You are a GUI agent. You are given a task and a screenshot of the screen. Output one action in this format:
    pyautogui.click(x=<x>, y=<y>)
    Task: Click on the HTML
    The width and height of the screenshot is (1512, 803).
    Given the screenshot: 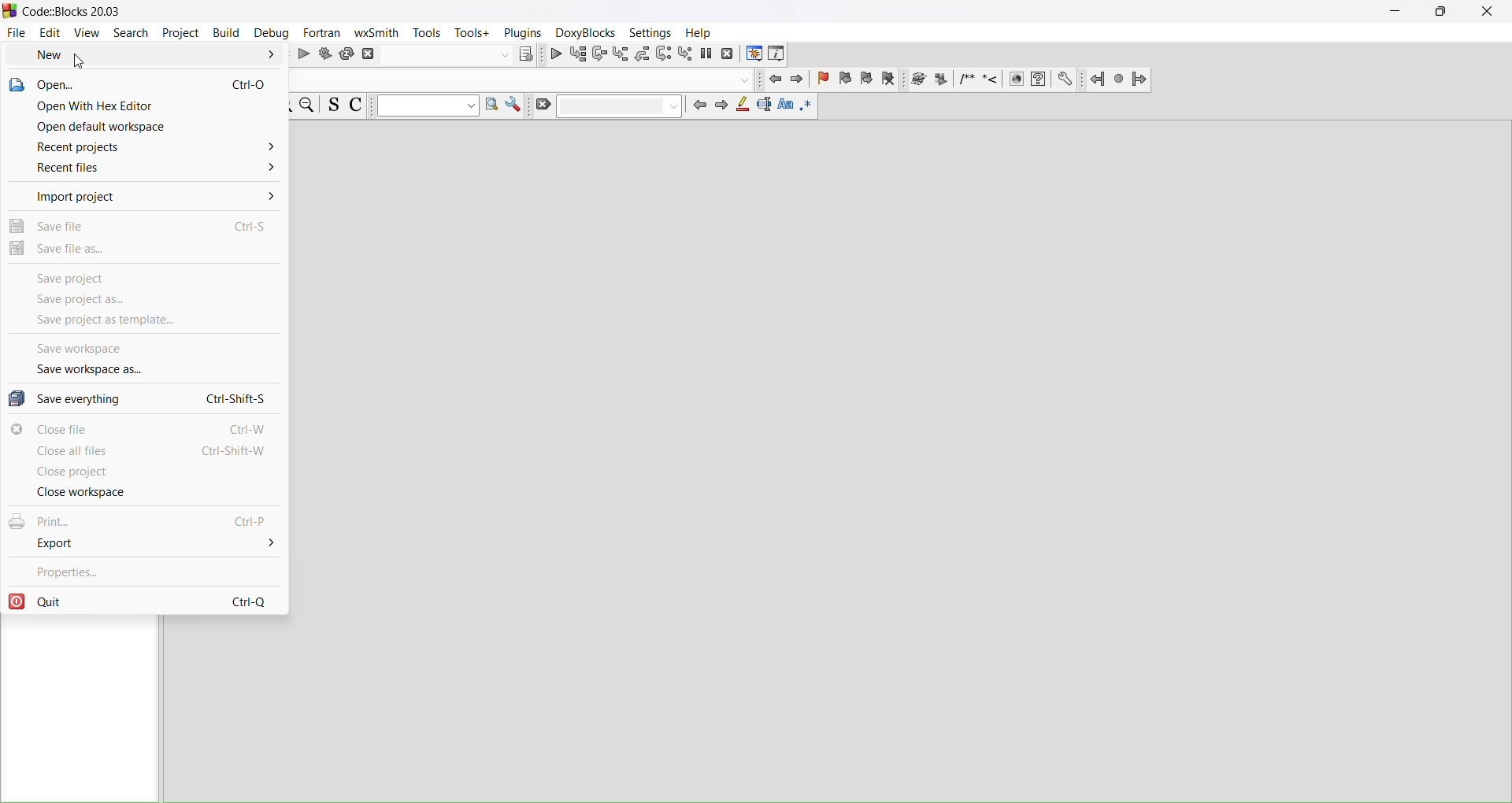 What is the action you would take?
    pyautogui.click(x=1015, y=77)
    